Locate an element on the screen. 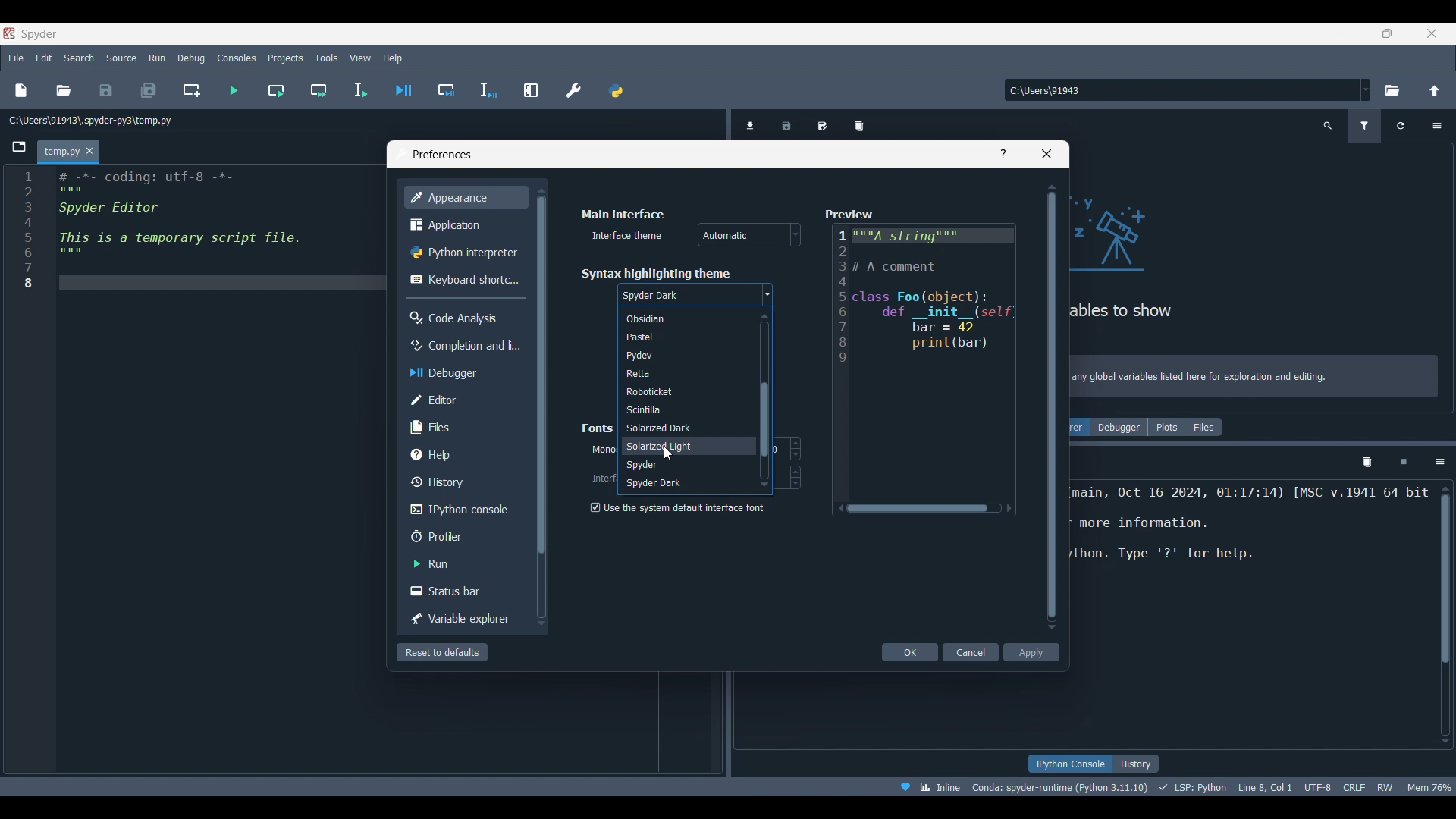 Image resolution: width=1456 pixels, height=819 pixels. 1
2
3
4
5
6
7
8 is located at coordinates (26, 231).